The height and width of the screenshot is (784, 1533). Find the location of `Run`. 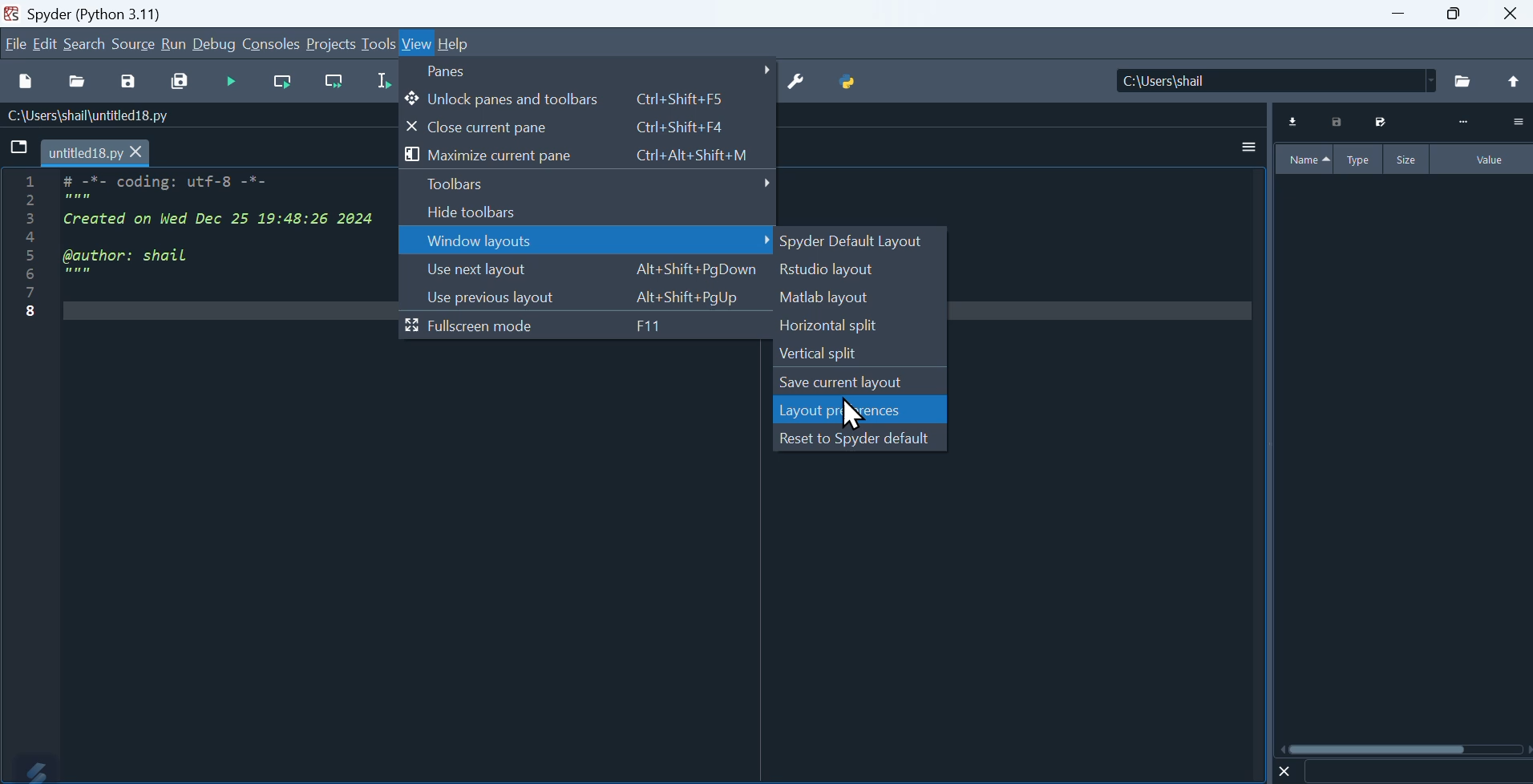

Run is located at coordinates (173, 43).